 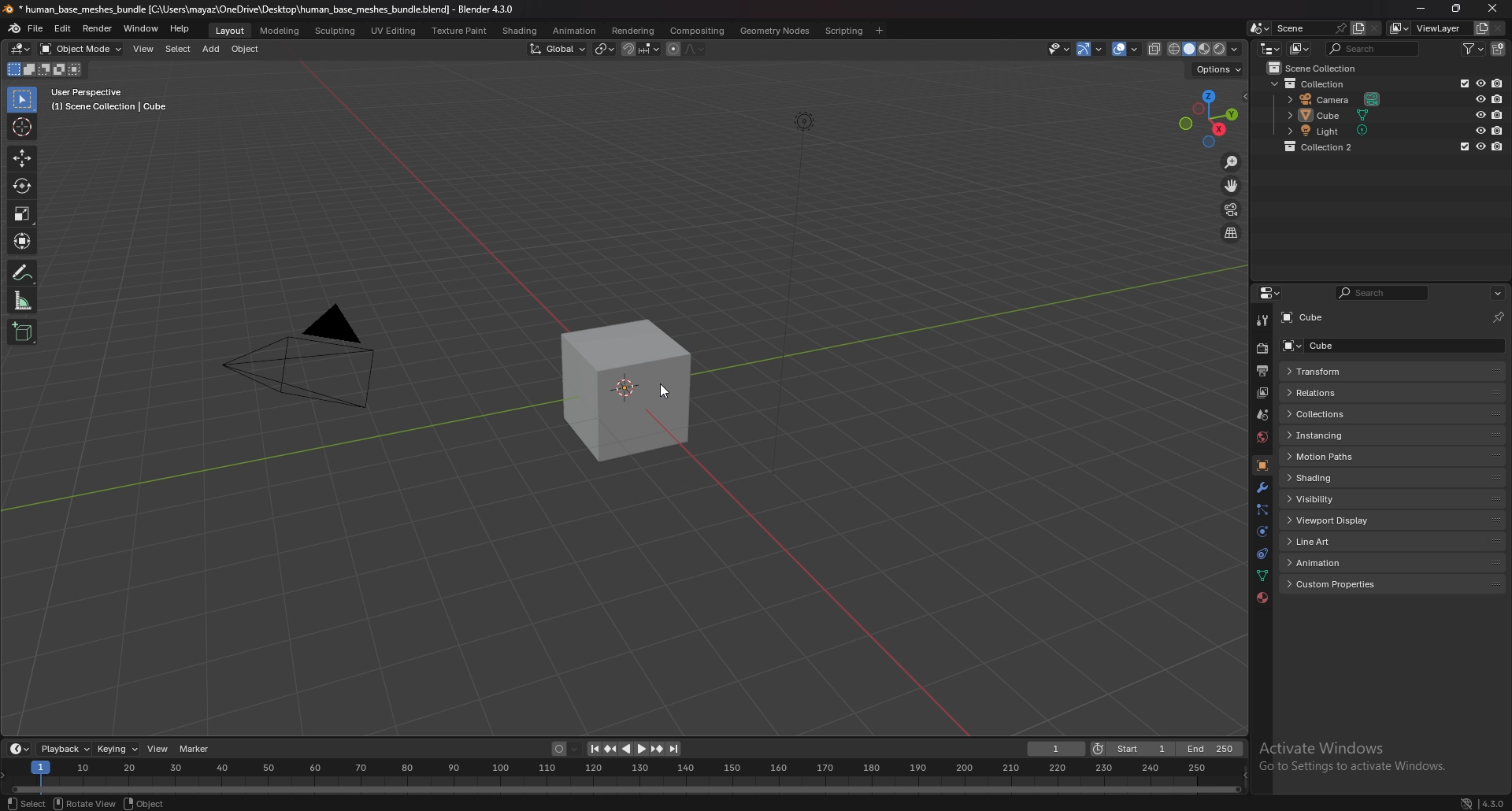 I want to click on instancing, so click(x=1338, y=435).